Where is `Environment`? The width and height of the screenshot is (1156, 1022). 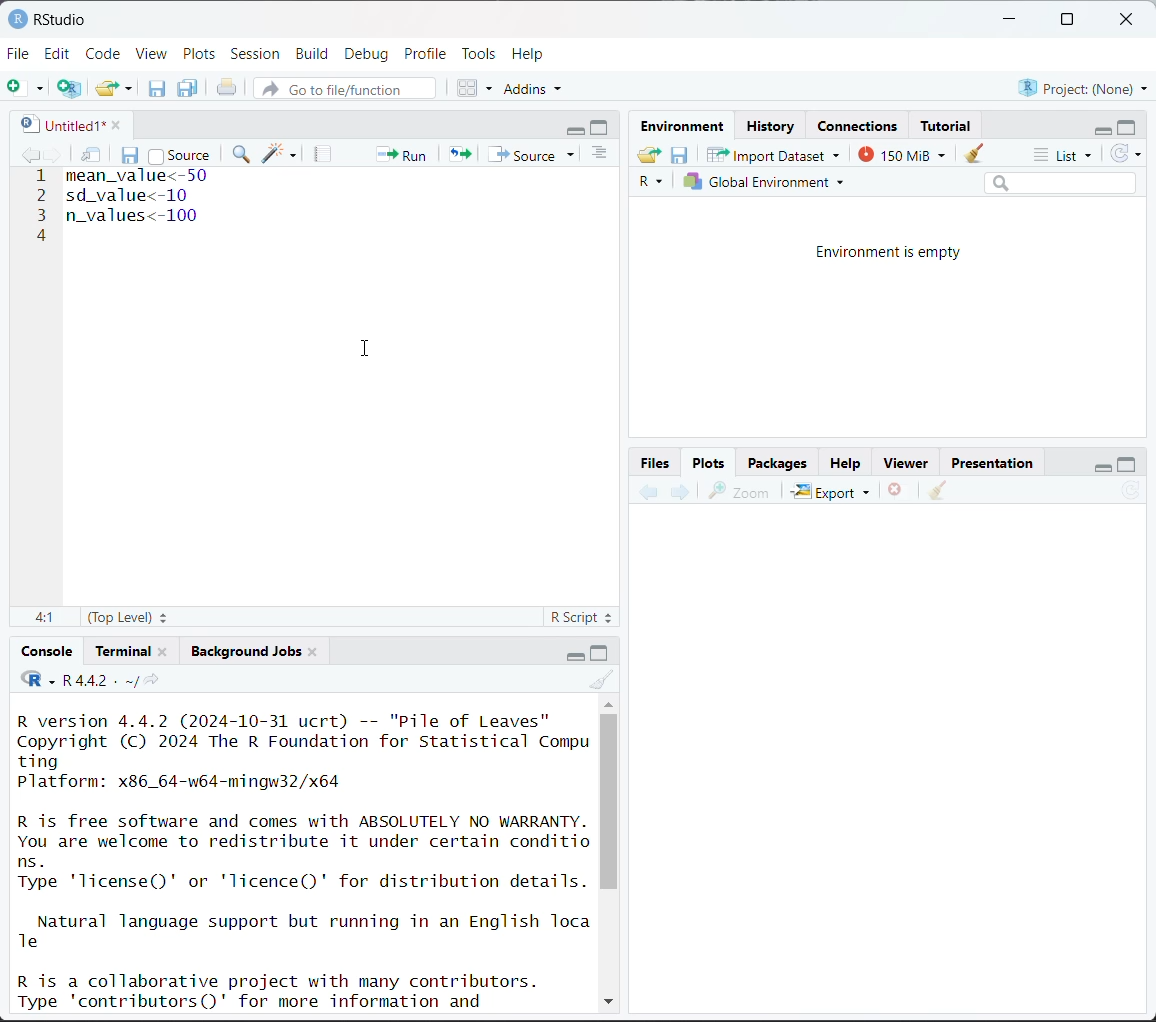
Environment is located at coordinates (686, 127).